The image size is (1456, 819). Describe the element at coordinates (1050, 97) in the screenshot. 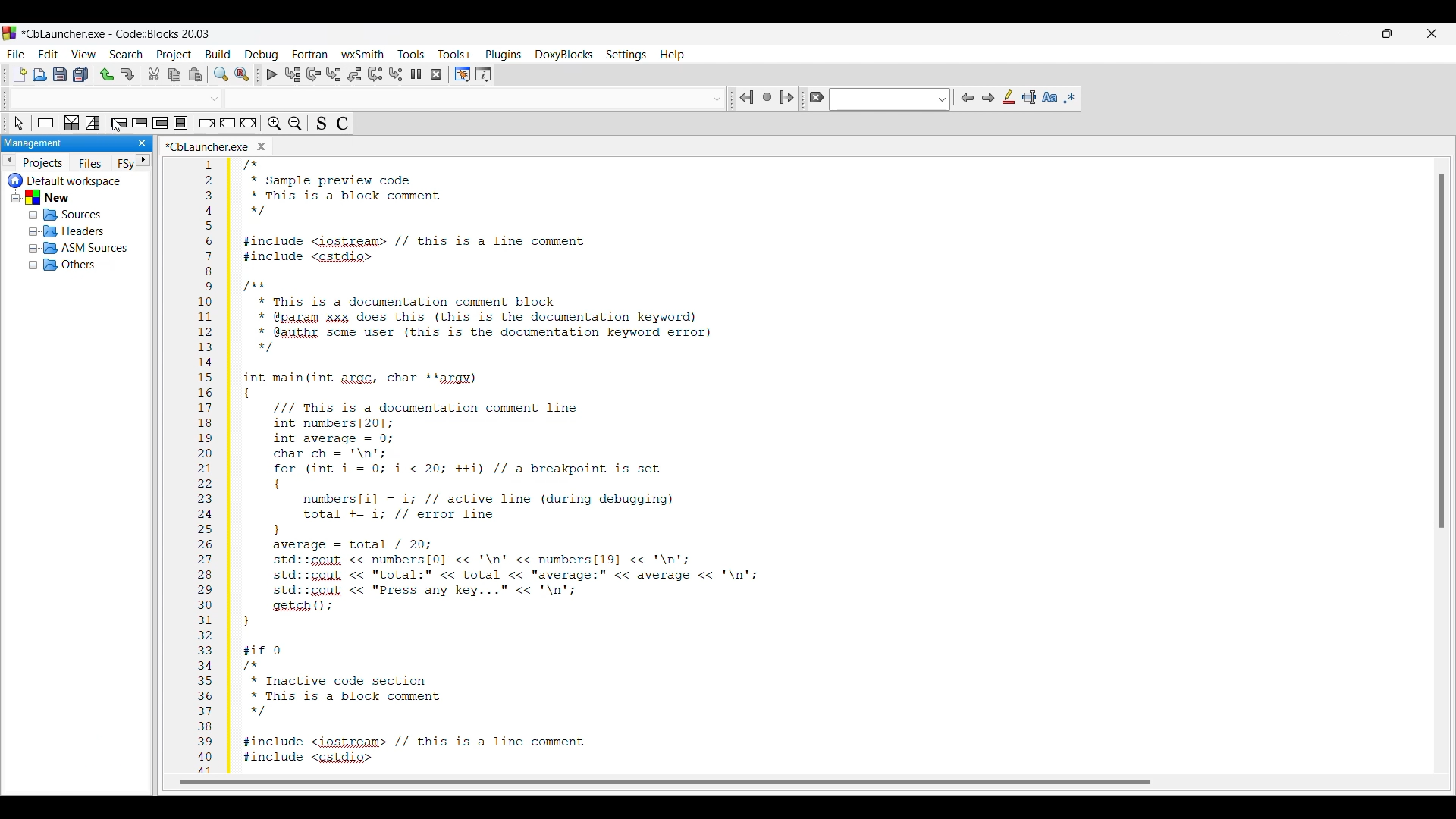

I see `Match case` at that location.